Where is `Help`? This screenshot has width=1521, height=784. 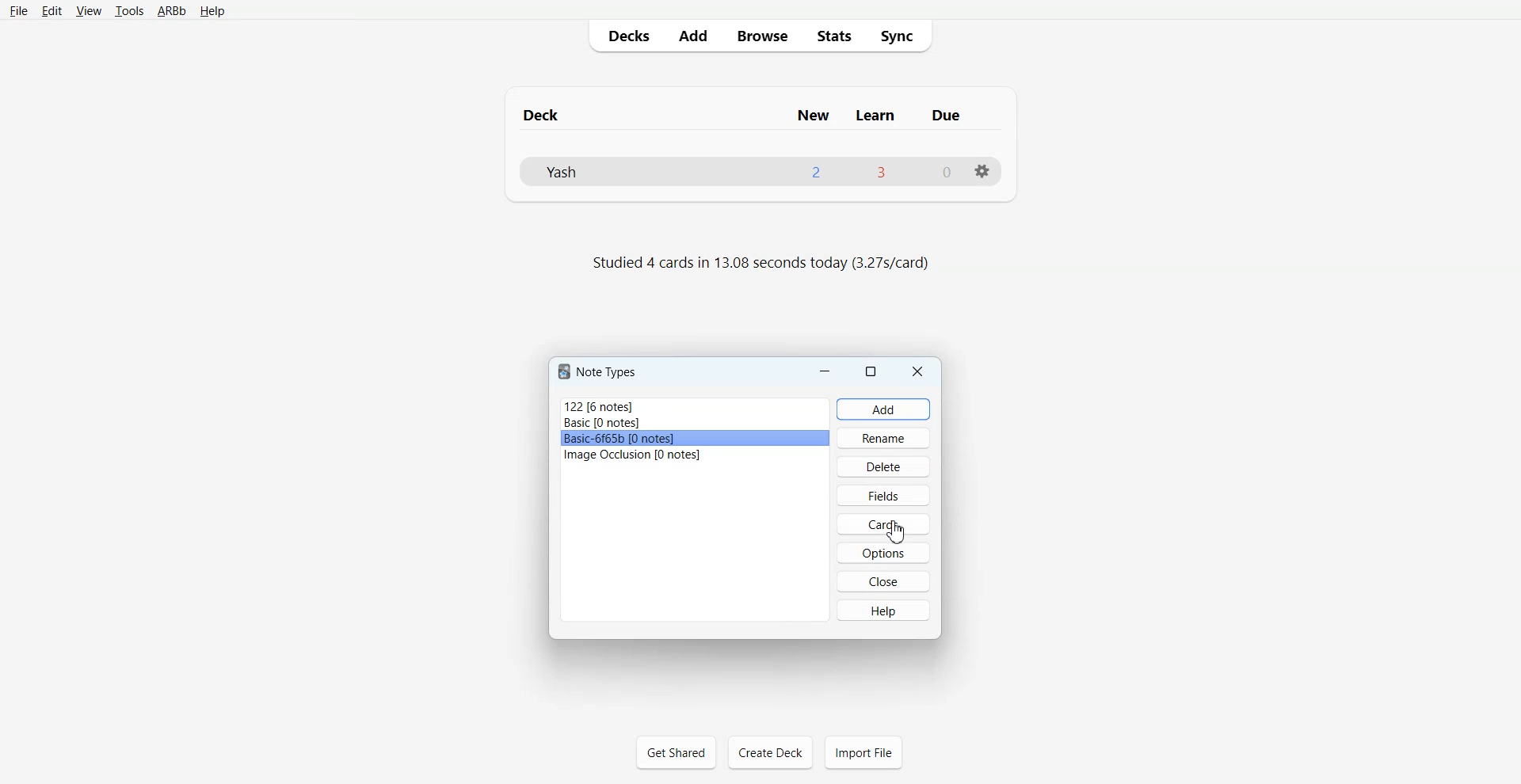
Help is located at coordinates (211, 12).